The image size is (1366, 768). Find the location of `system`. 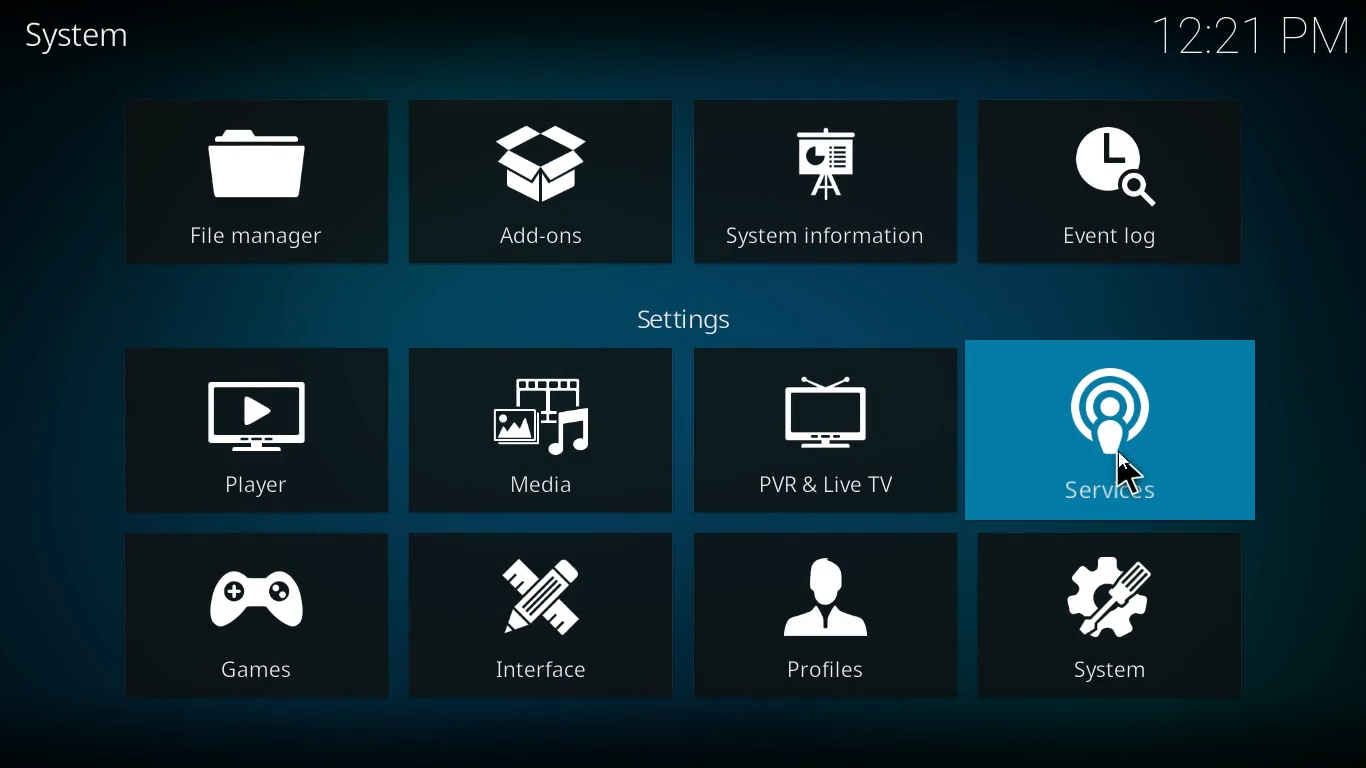

system is located at coordinates (90, 38).